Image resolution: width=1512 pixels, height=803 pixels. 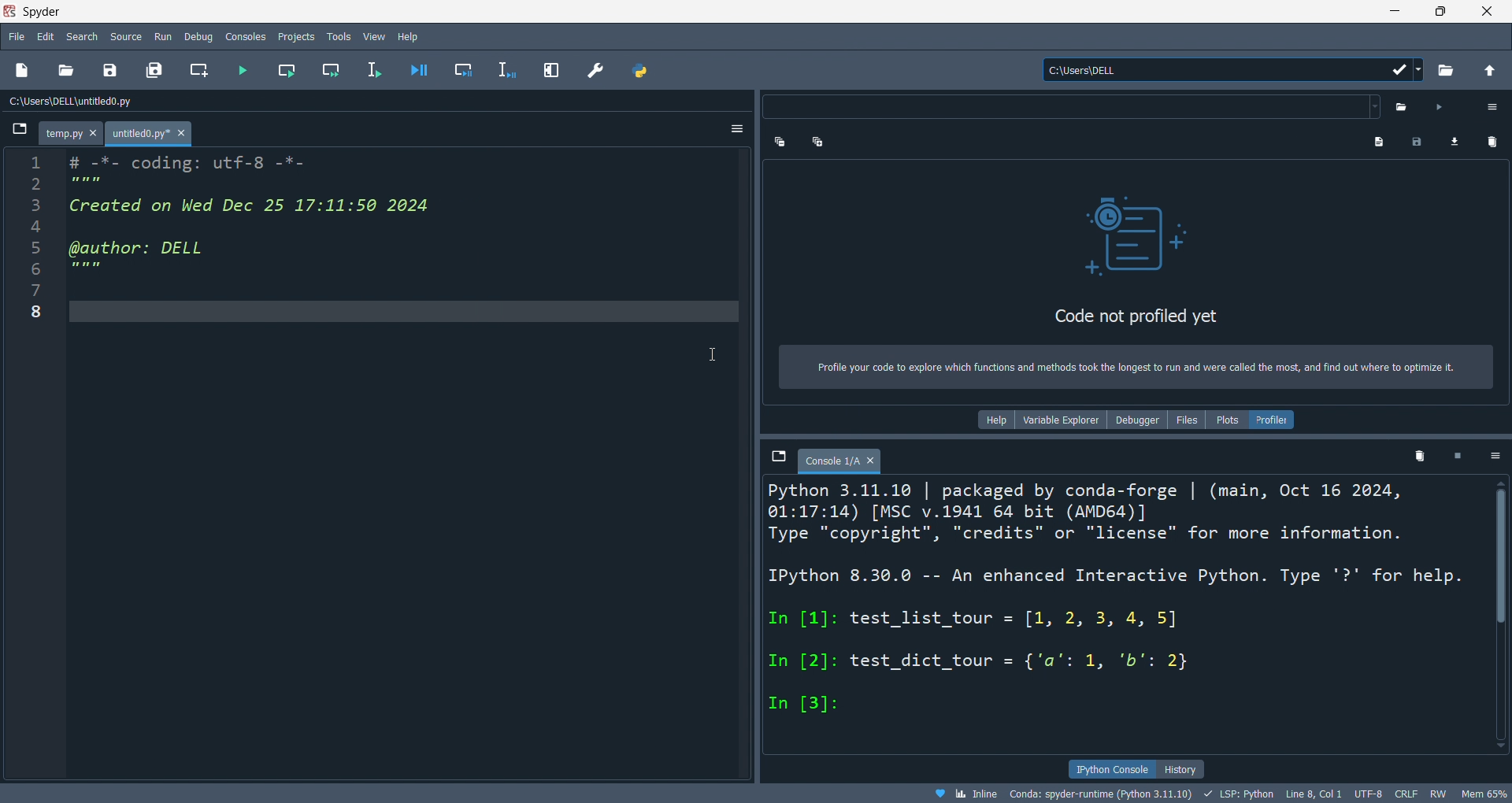 I want to click on search, so click(x=83, y=36).